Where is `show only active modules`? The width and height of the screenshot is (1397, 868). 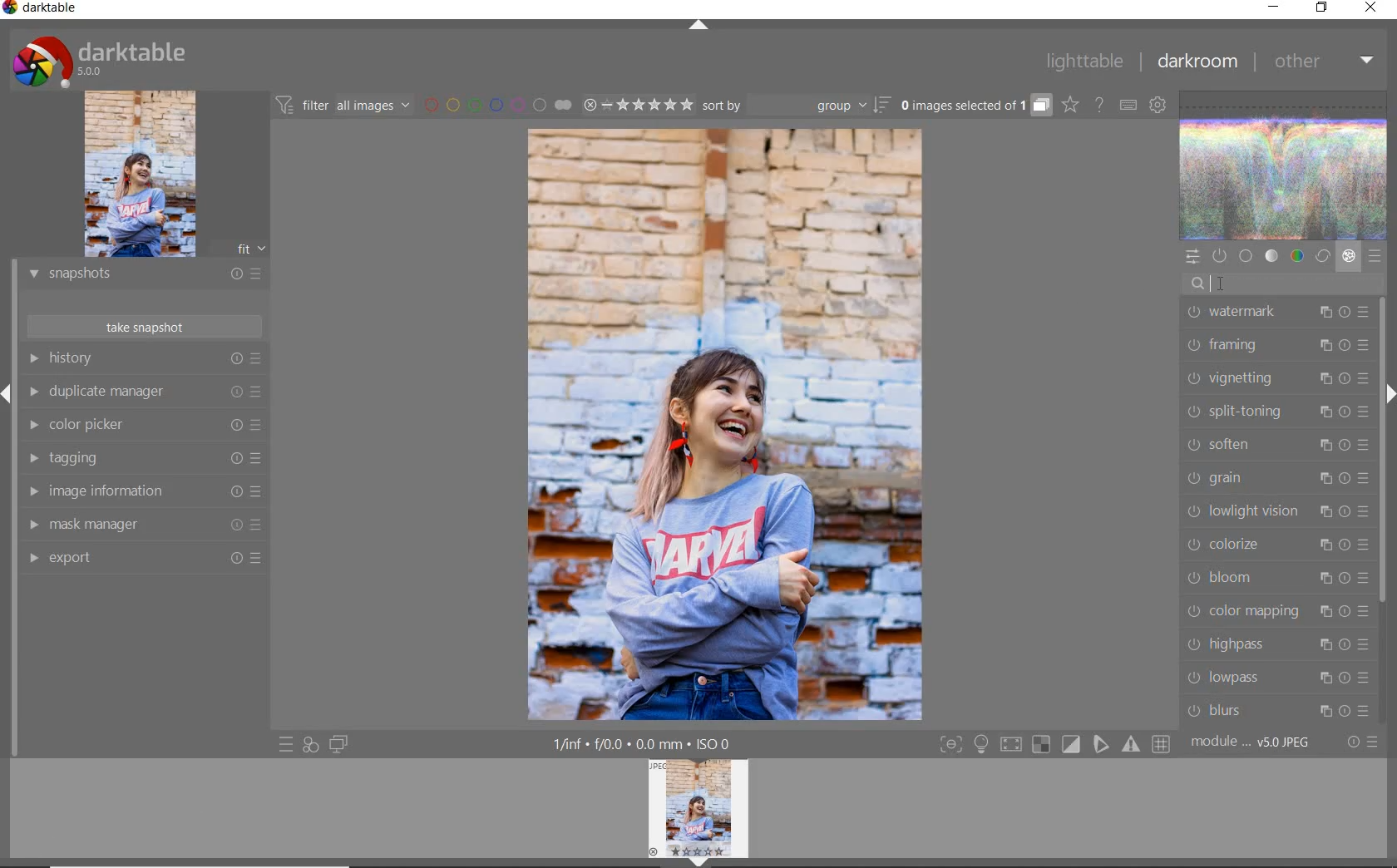 show only active modules is located at coordinates (1220, 257).